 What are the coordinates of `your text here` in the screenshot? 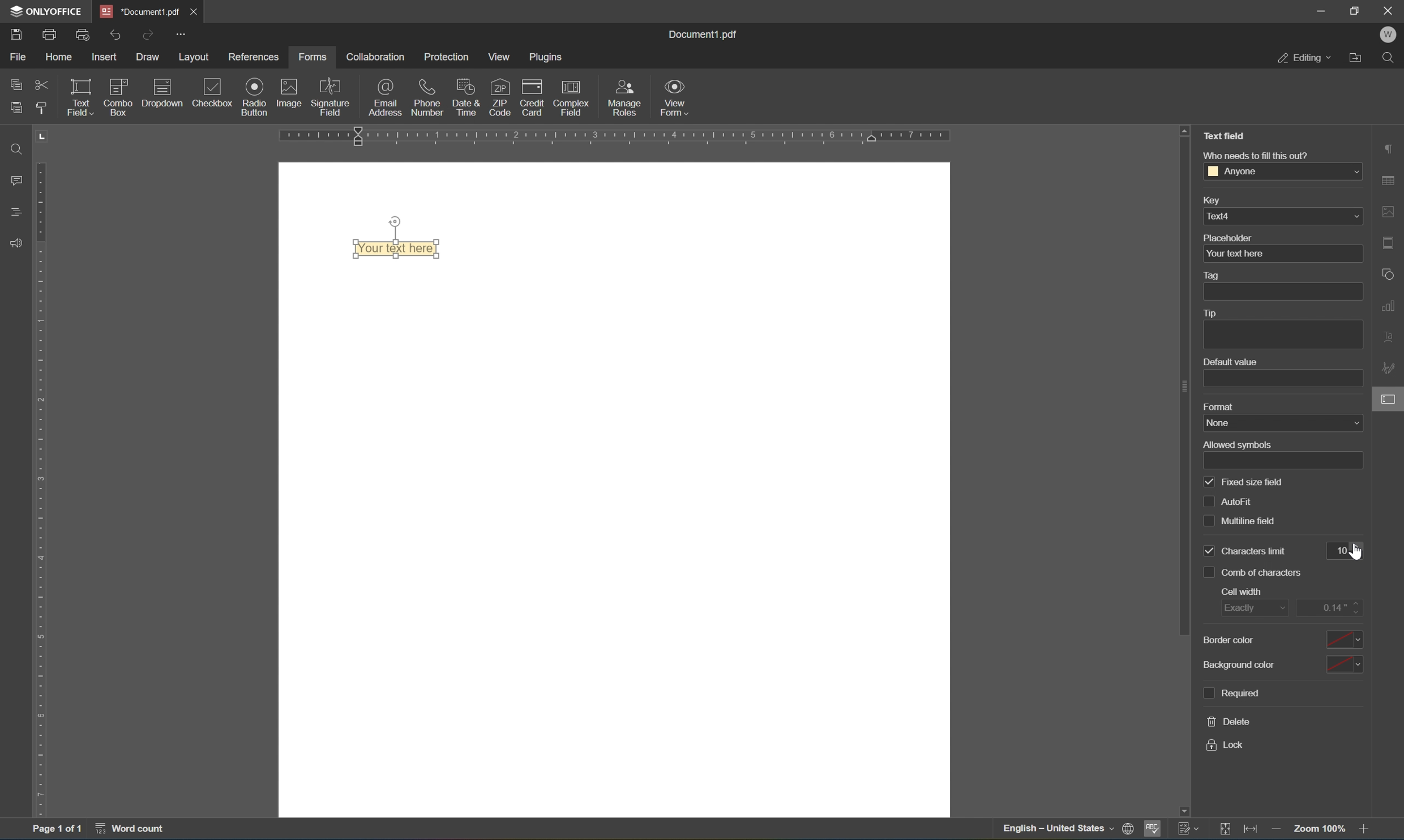 It's located at (395, 248).